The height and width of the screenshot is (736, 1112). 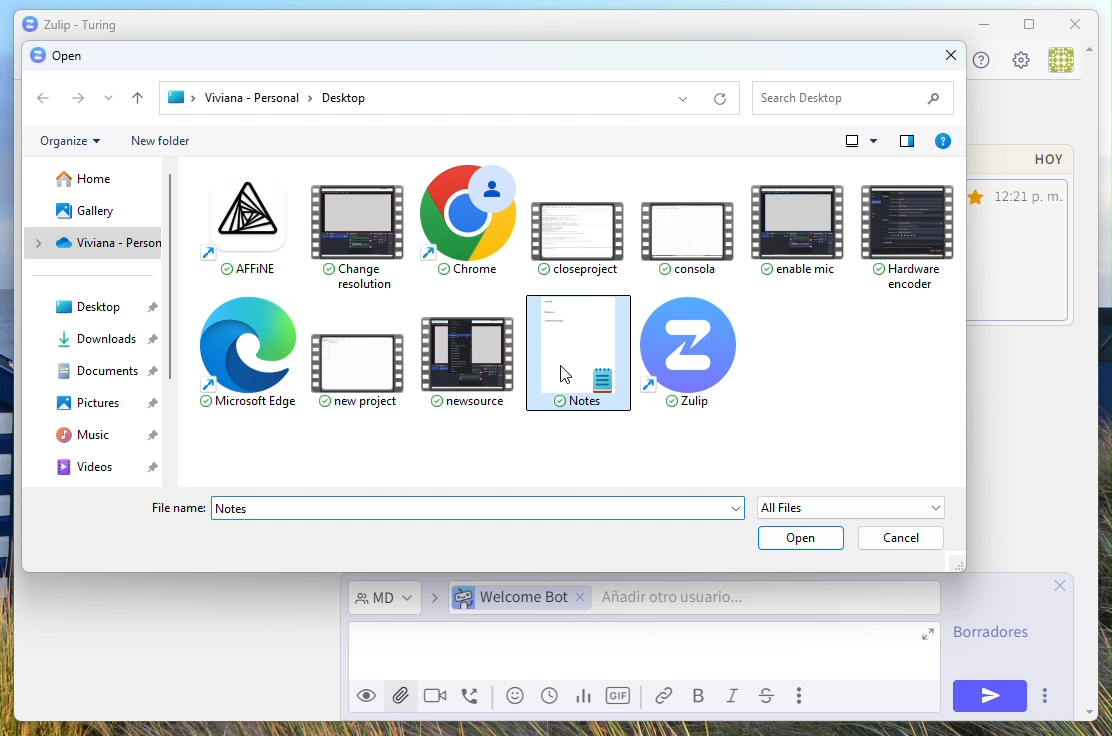 What do you see at coordinates (1020, 62) in the screenshot?
I see `Settings` at bounding box center [1020, 62].